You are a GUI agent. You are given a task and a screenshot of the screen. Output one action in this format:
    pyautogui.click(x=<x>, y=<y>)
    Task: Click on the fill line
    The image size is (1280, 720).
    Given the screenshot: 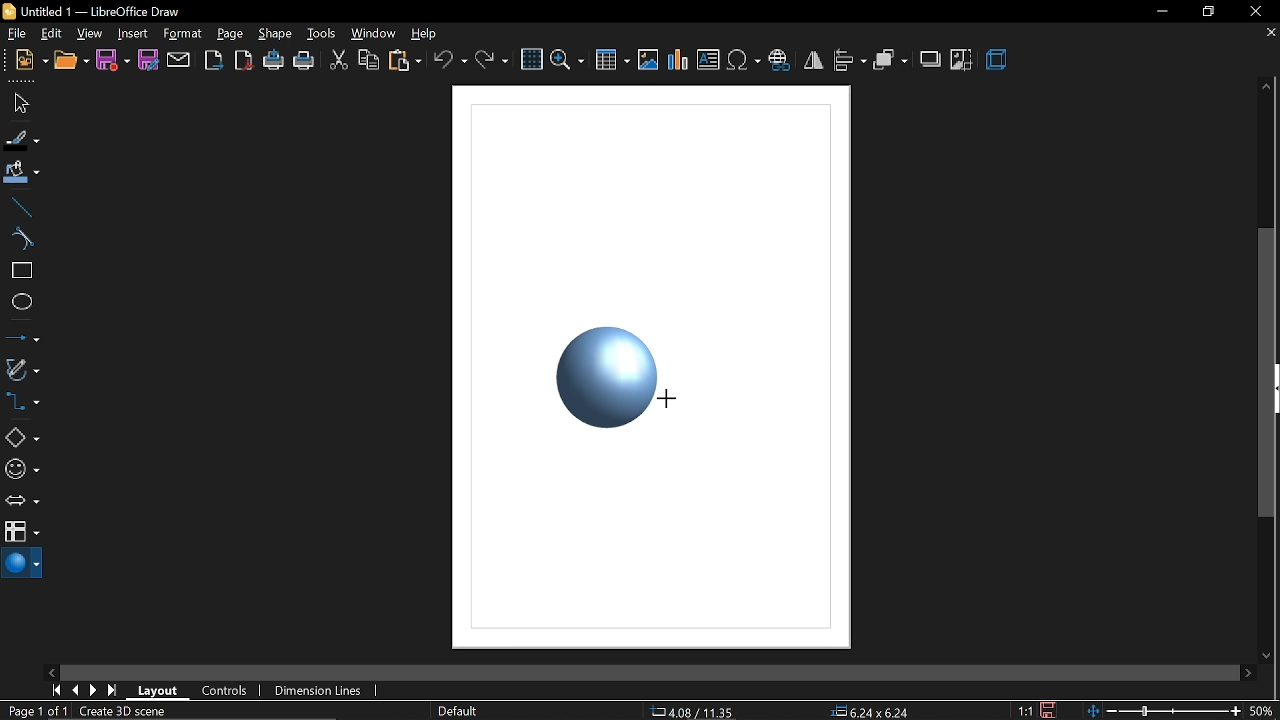 What is the action you would take?
    pyautogui.click(x=22, y=141)
    